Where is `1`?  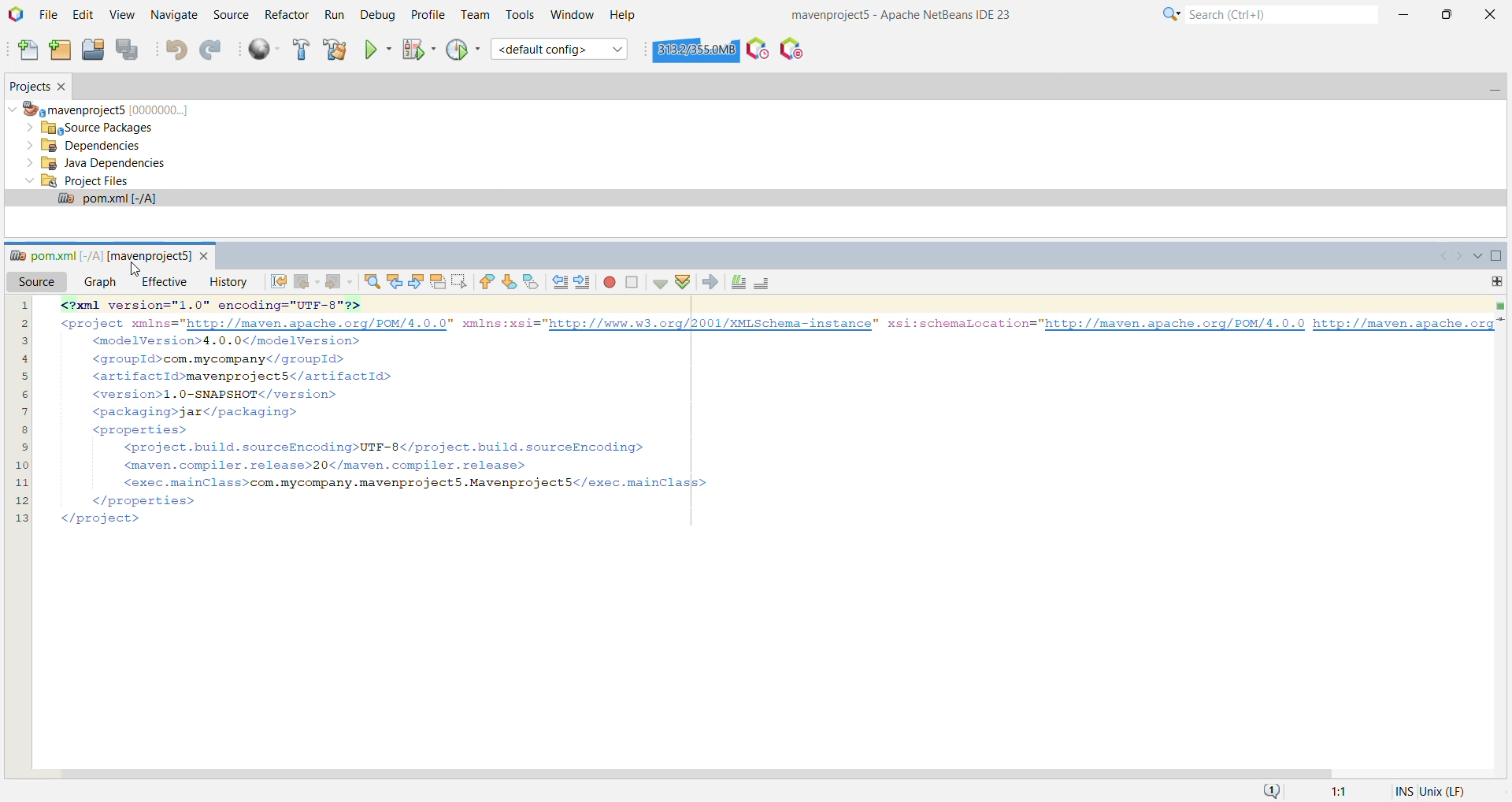
1 is located at coordinates (21, 305).